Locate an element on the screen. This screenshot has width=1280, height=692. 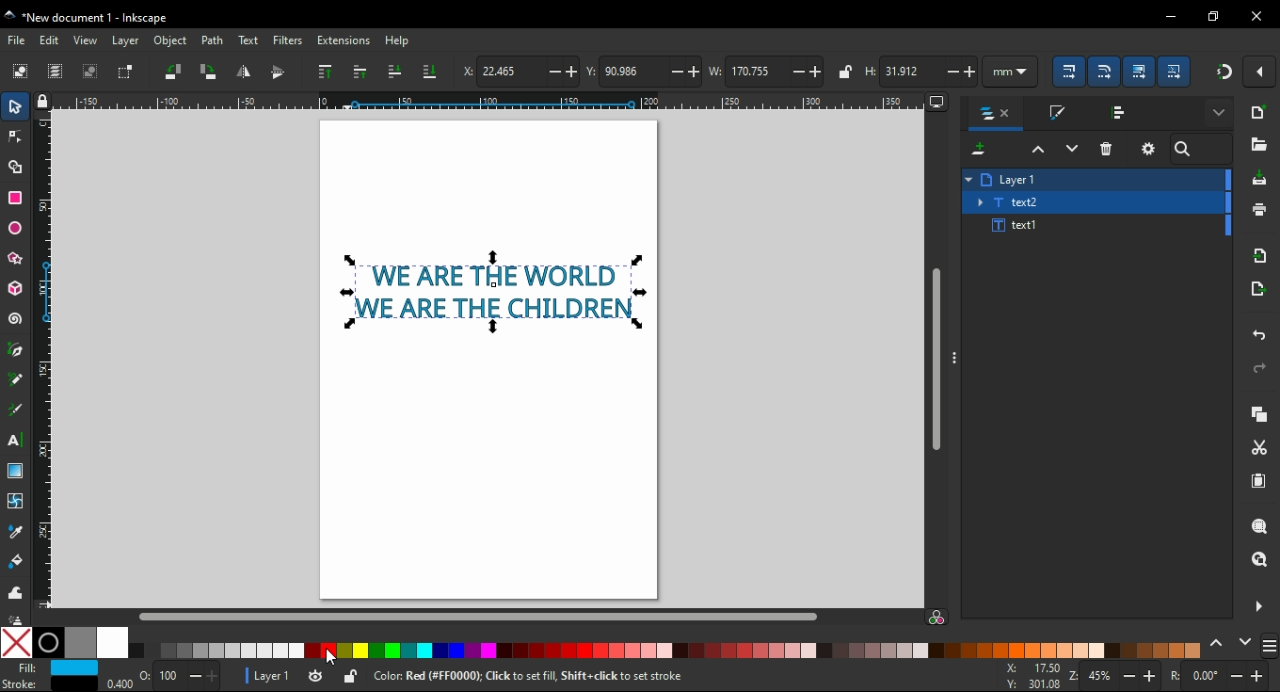
raise selection one step is located at coordinates (1036, 150).